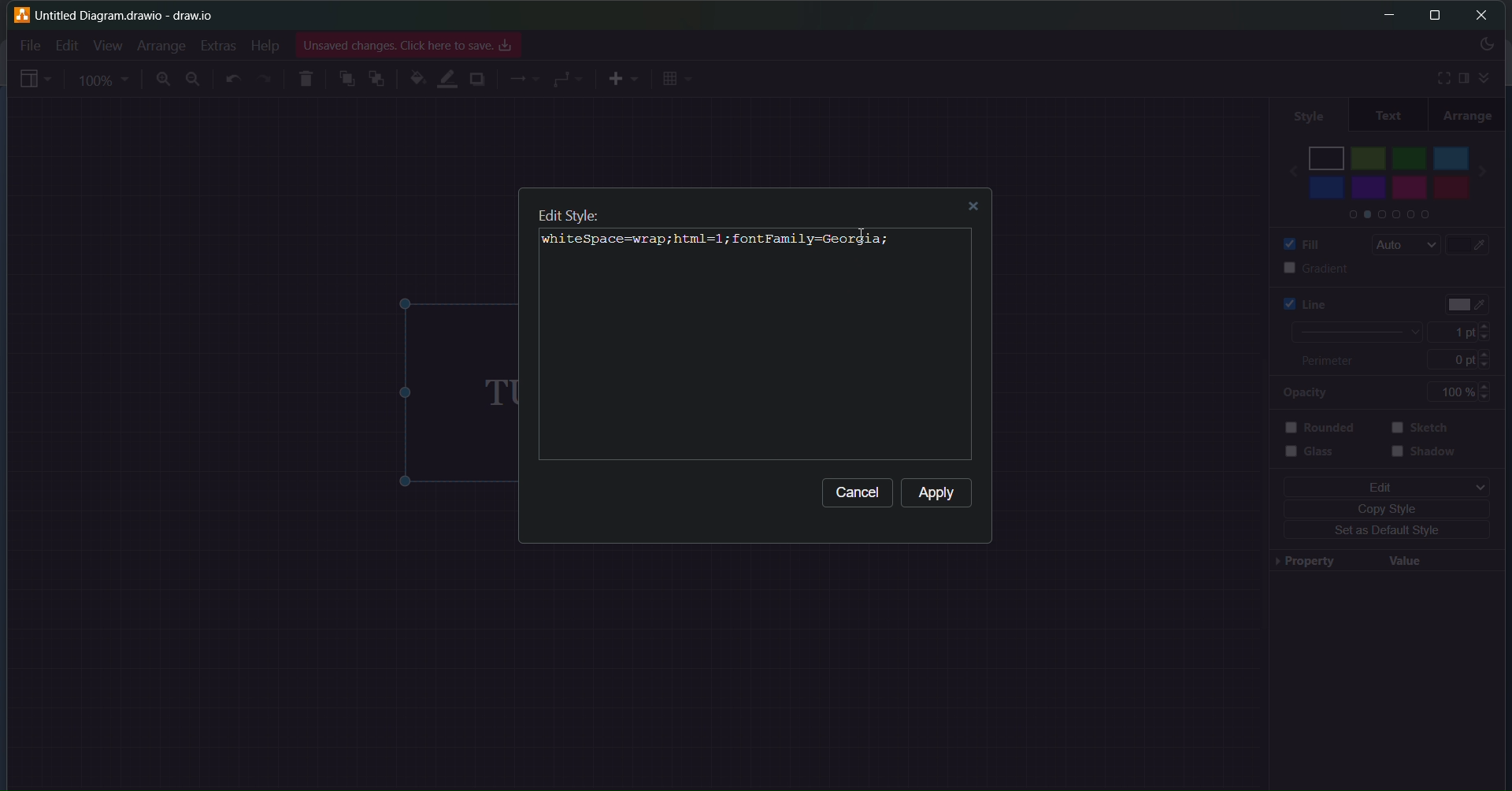 The height and width of the screenshot is (791, 1512). What do you see at coordinates (107, 45) in the screenshot?
I see `View` at bounding box center [107, 45].